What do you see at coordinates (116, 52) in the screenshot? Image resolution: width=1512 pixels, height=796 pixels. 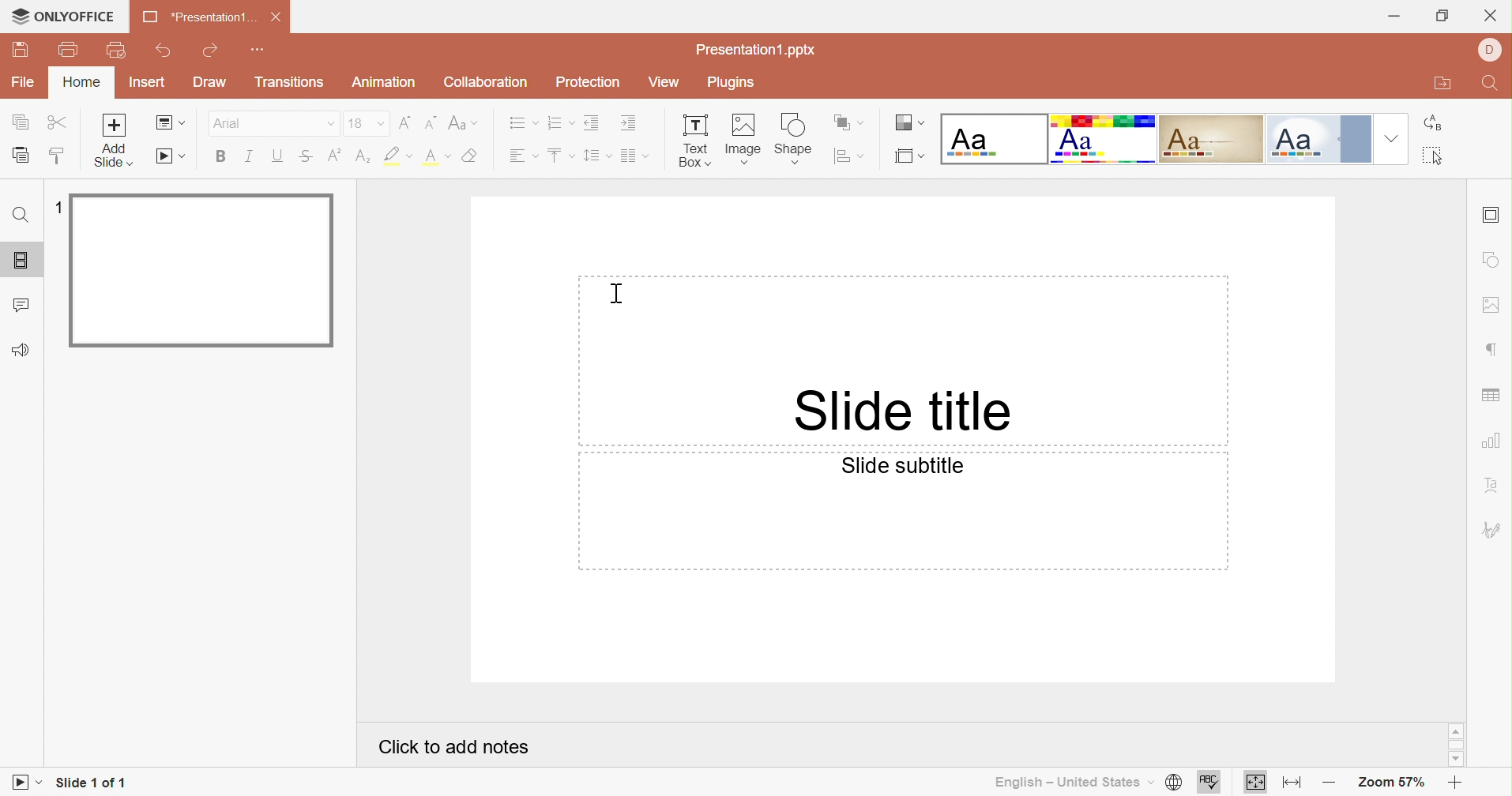 I see `Quick Print` at bounding box center [116, 52].